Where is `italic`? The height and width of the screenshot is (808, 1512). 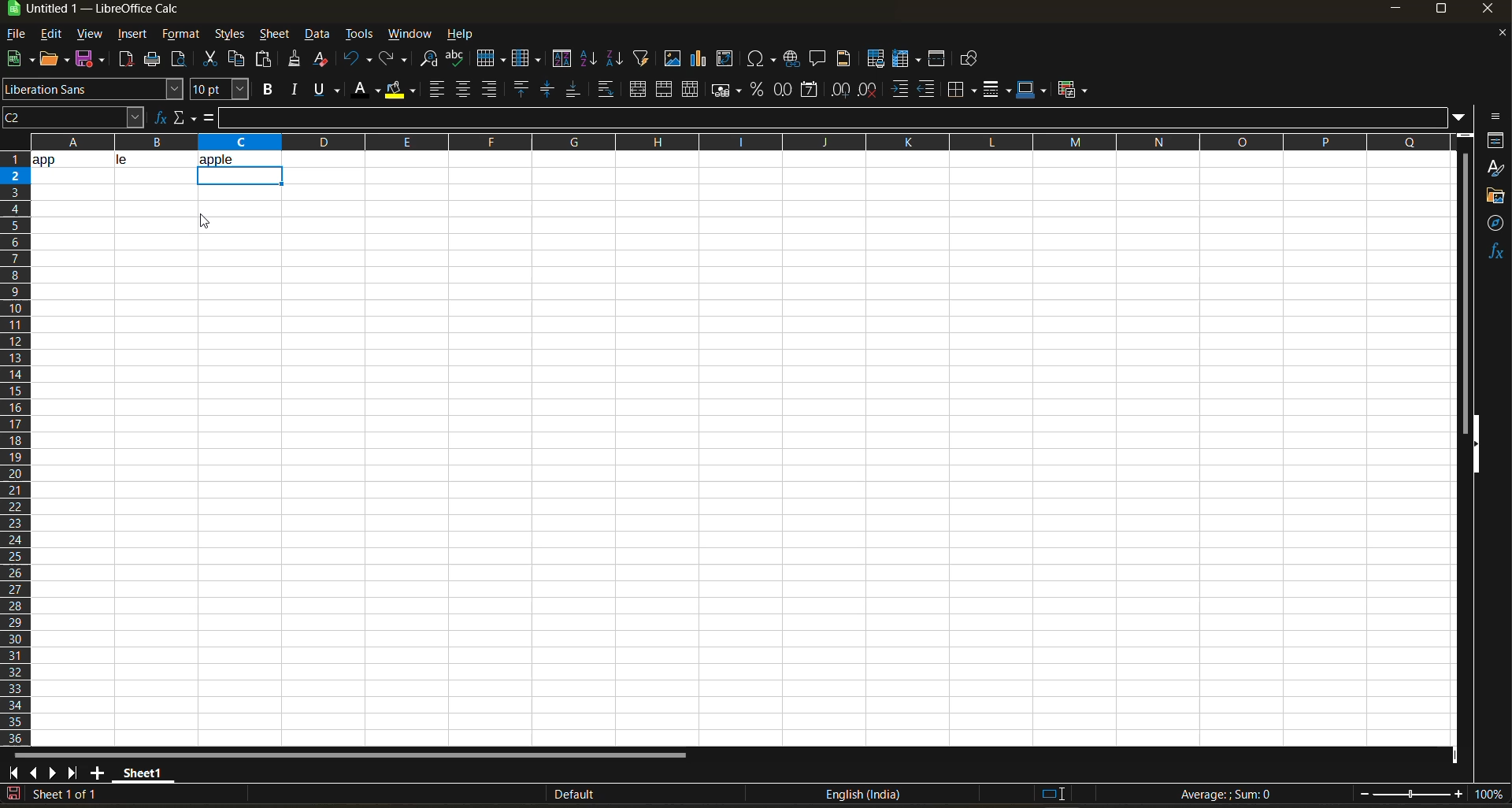
italic is located at coordinates (295, 90).